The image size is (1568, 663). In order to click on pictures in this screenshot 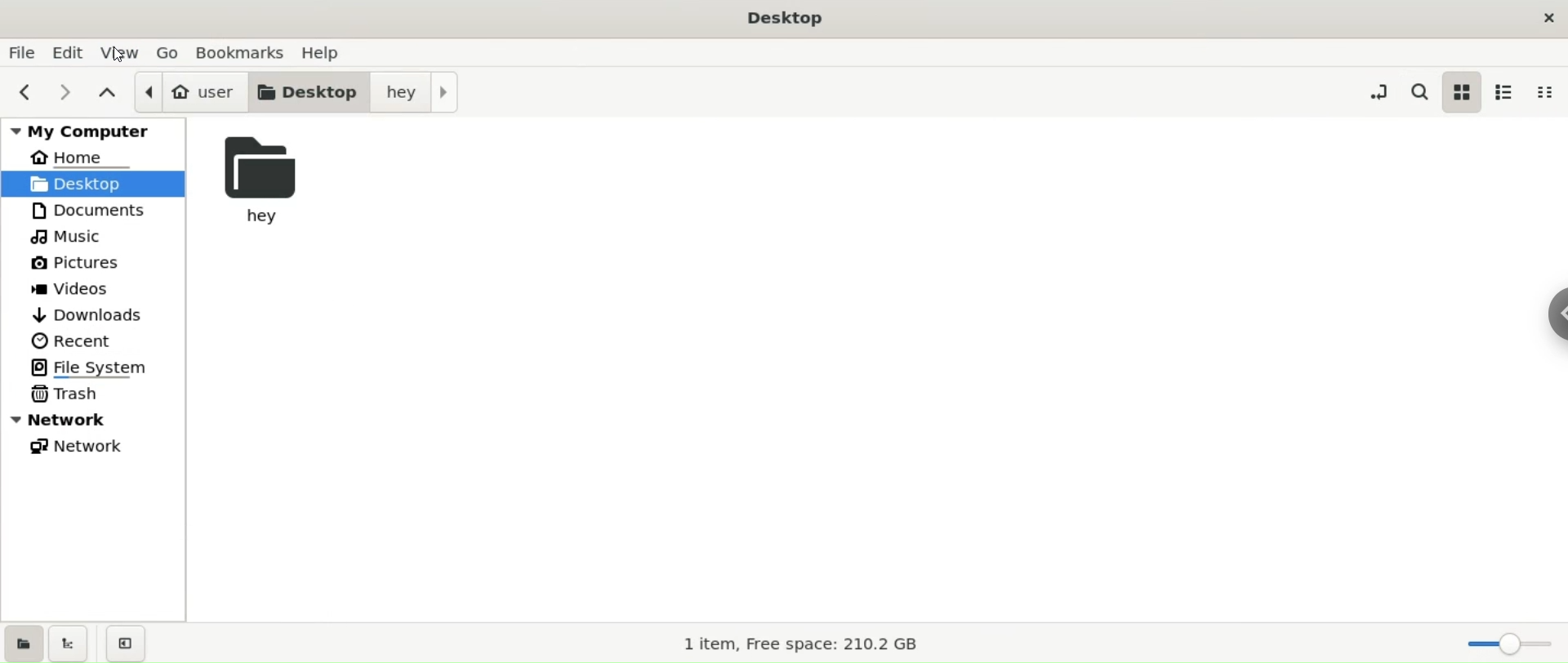, I will do `click(103, 260)`.